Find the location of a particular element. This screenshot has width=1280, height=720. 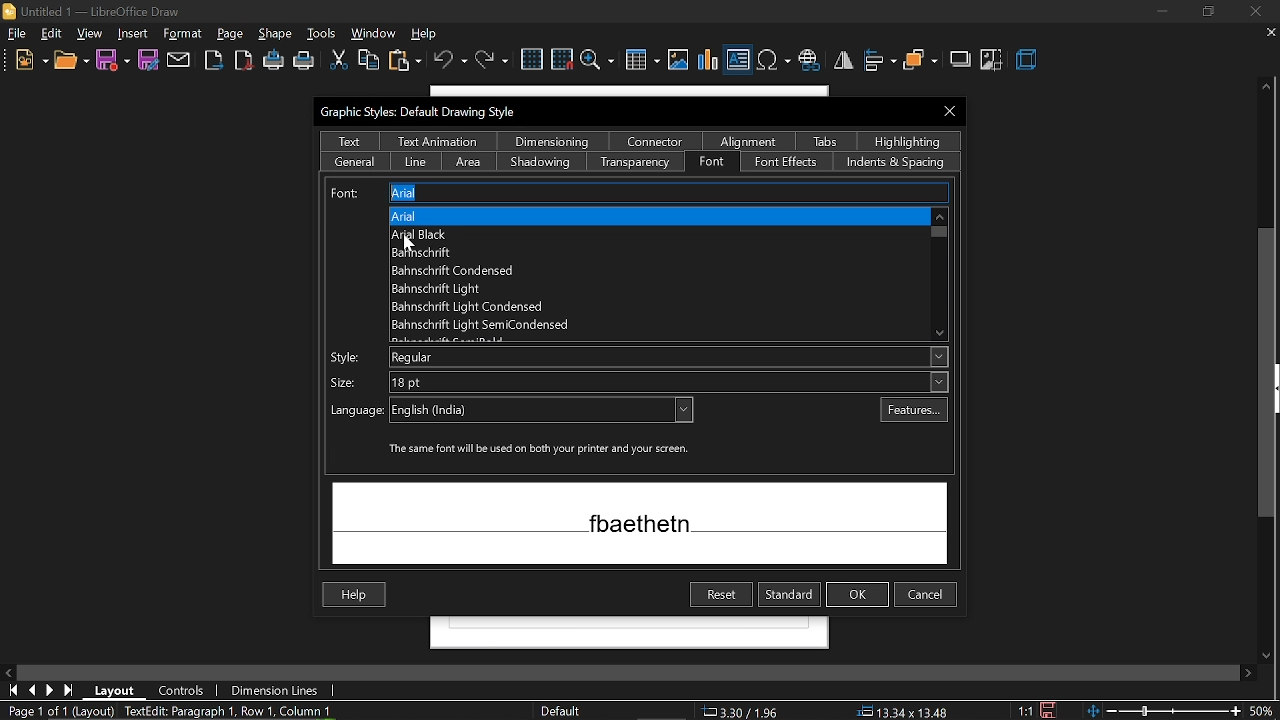

print directly is located at coordinates (274, 59).